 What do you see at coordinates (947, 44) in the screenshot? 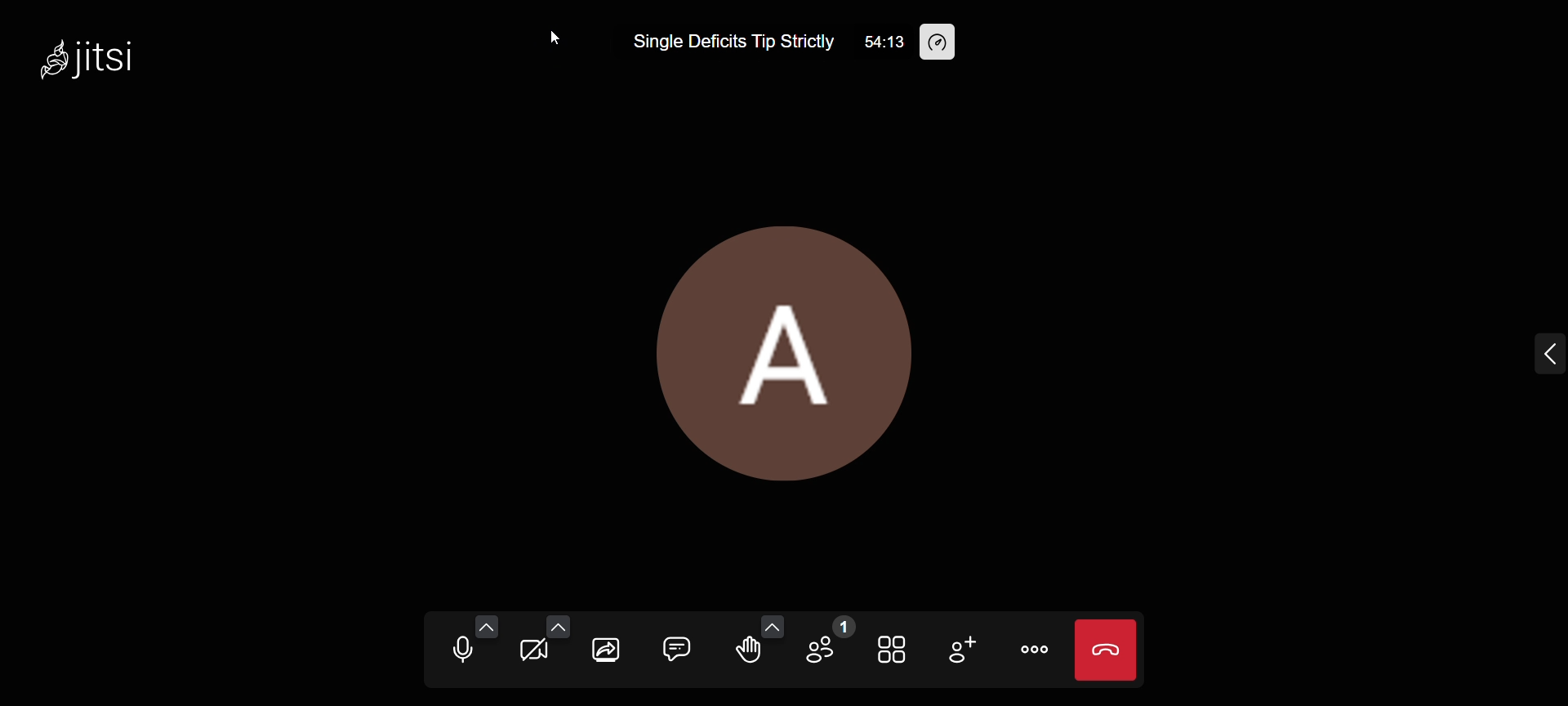
I see `performance setting` at bounding box center [947, 44].